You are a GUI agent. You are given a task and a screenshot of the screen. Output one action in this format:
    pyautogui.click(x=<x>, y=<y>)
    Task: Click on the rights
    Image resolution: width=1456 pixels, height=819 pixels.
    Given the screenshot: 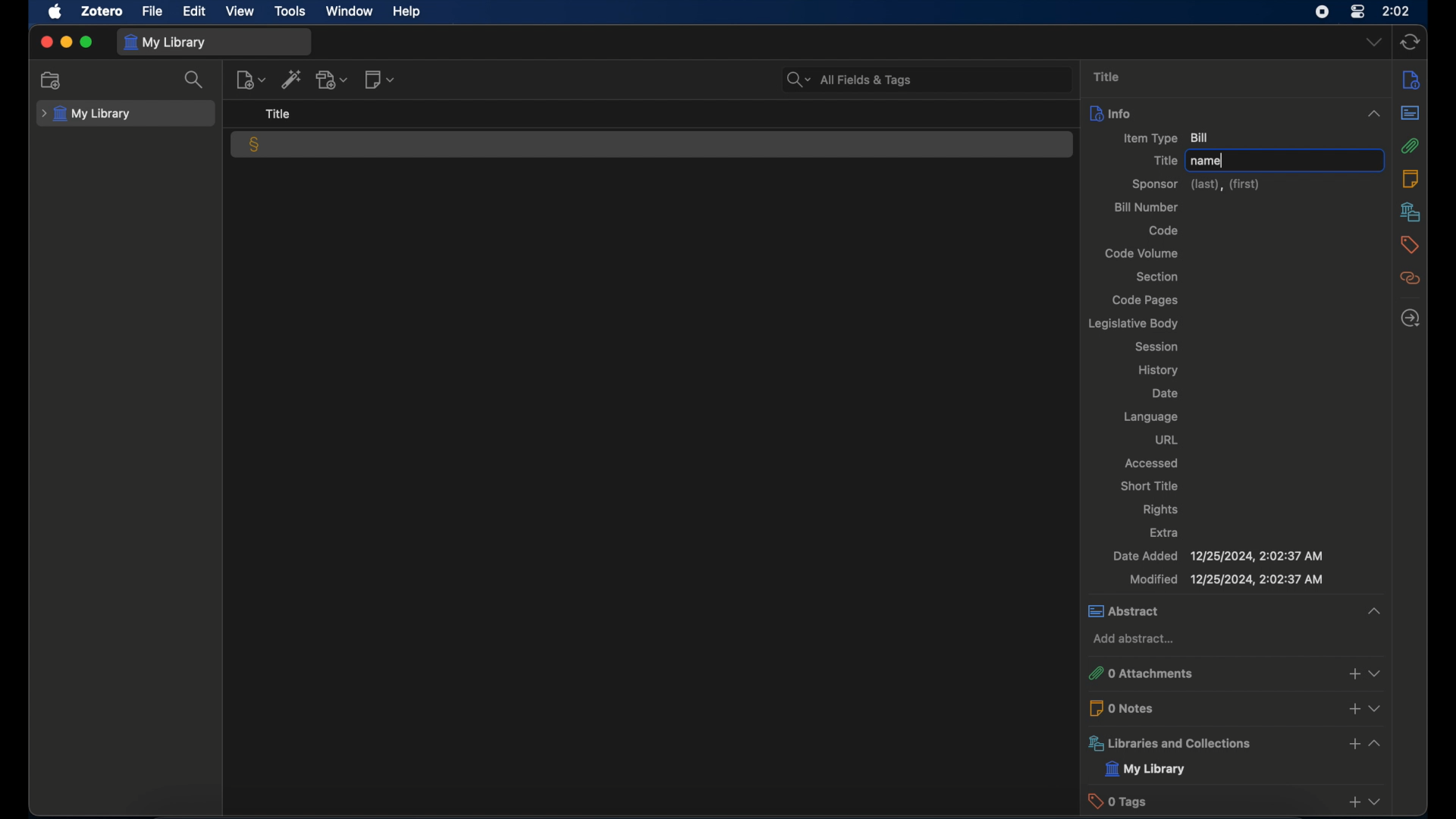 What is the action you would take?
    pyautogui.click(x=1161, y=510)
    